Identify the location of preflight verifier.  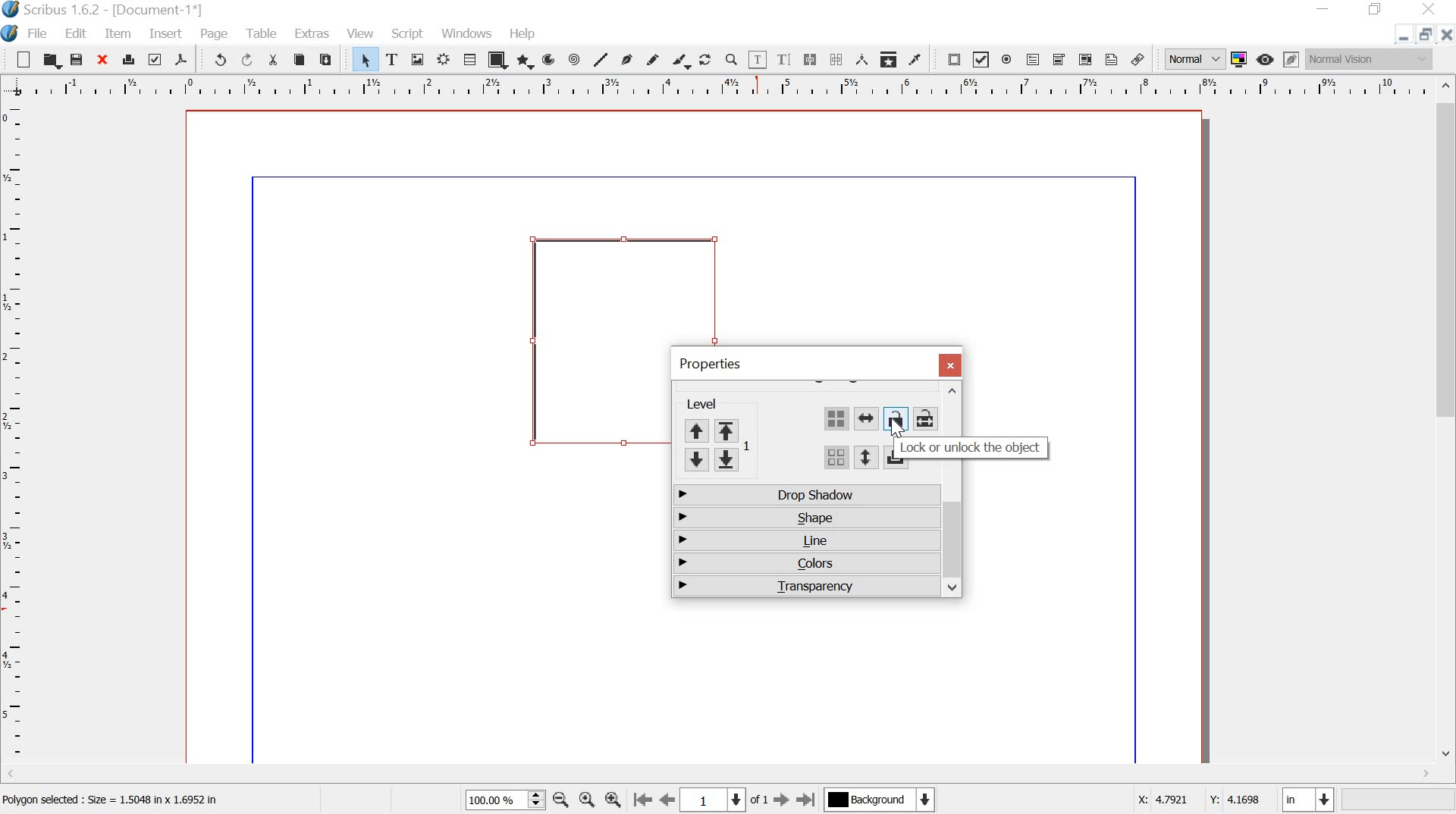
(156, 61).